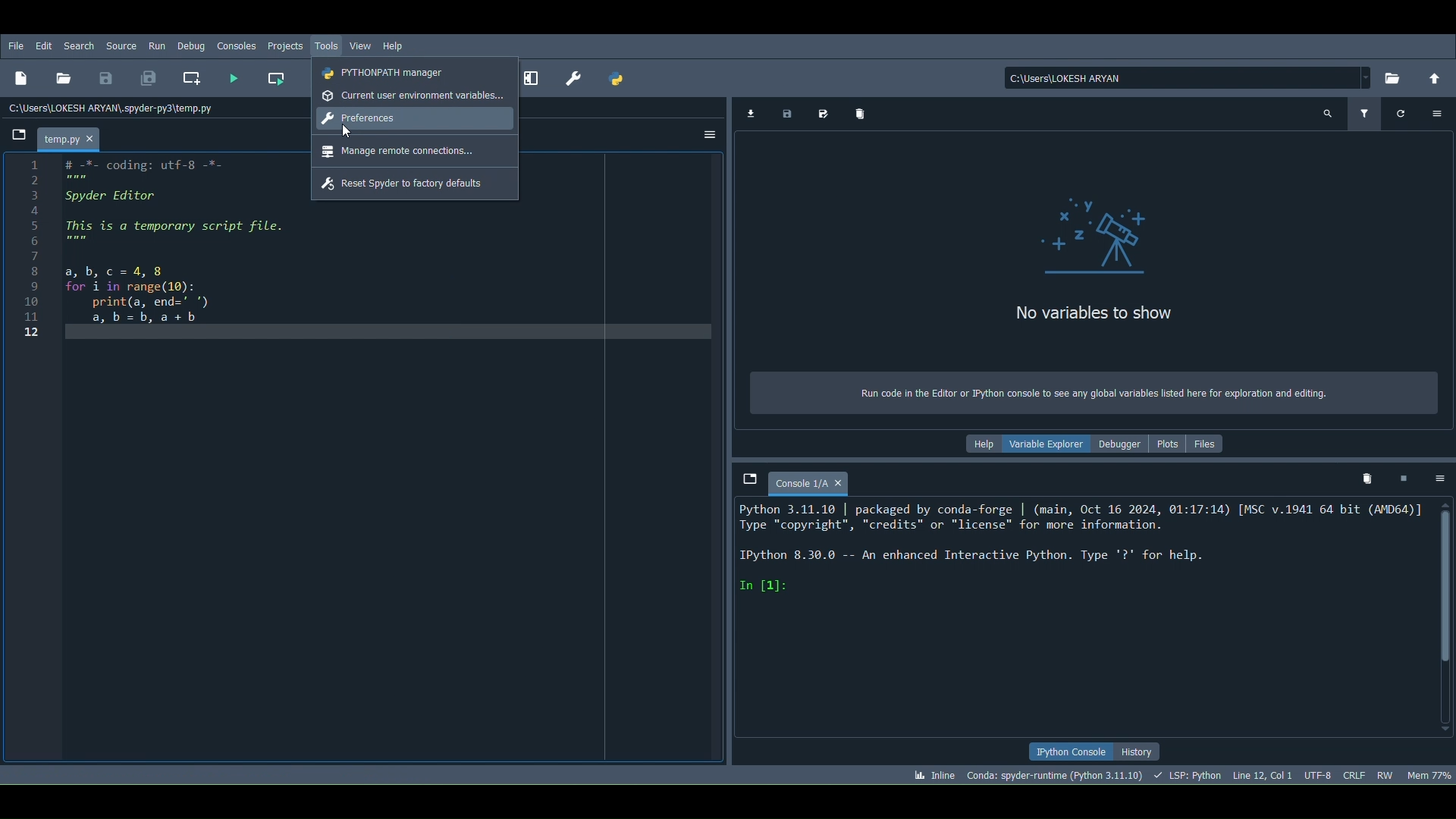 The width and height of the screenshot is (1456, 819). What do you see at coordinates (20, 77) in the screenshot?
I see `New file (Ctrl + N)` at bounding box center [20, 77].